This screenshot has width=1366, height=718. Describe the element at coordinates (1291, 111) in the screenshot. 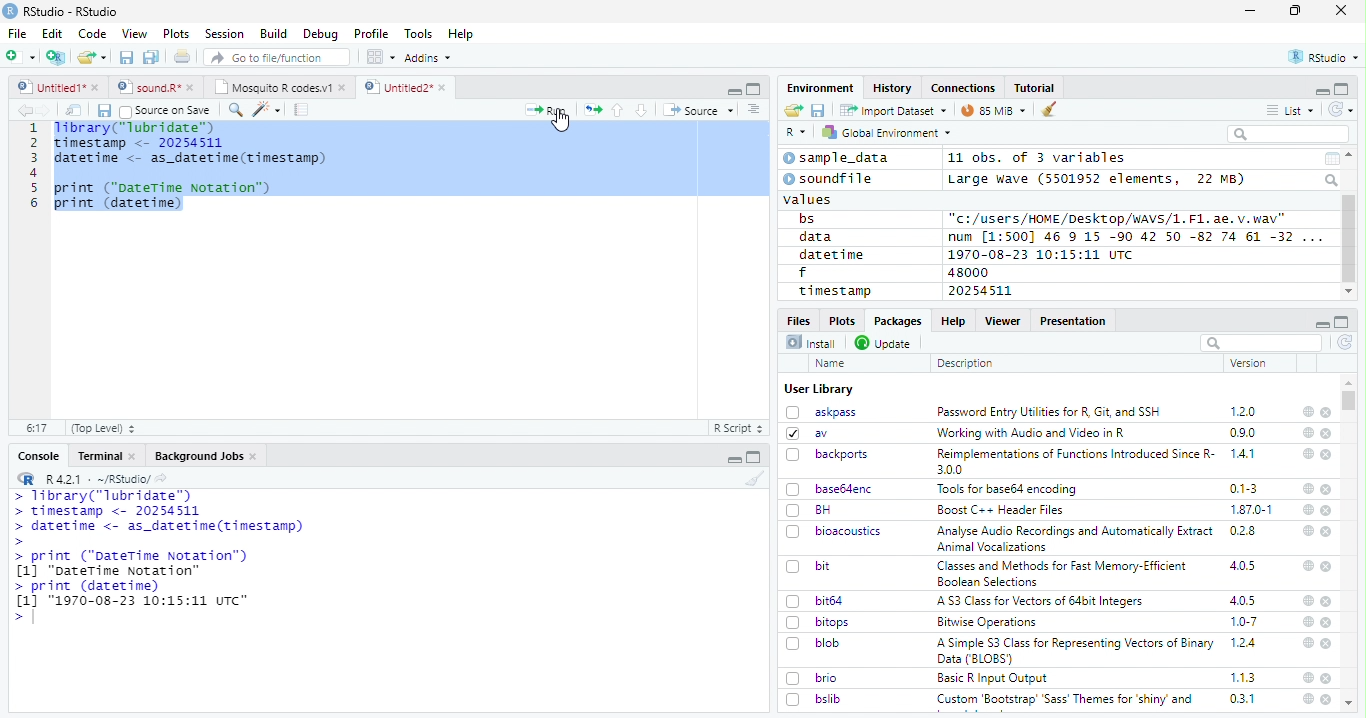

I see `List` at that location.